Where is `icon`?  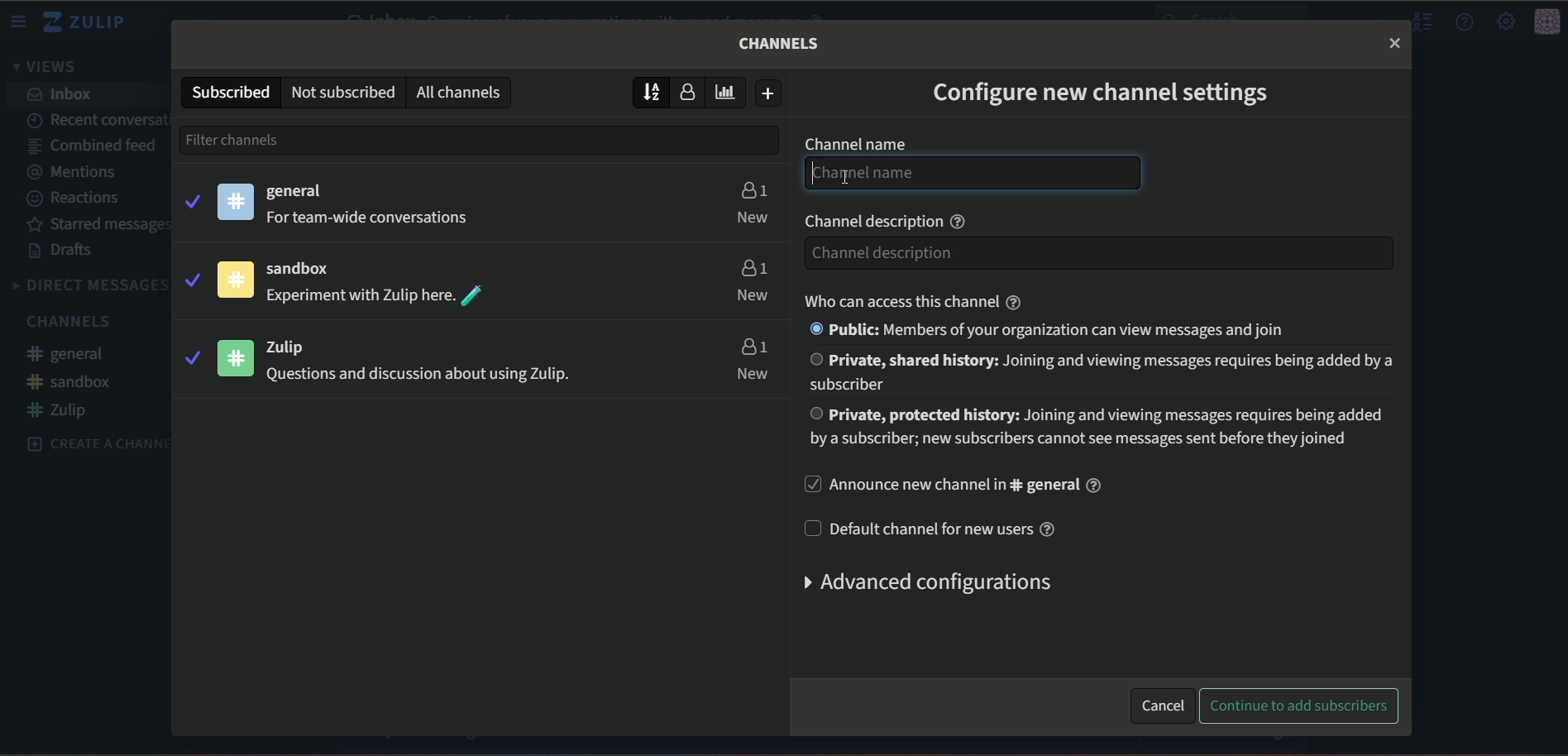
icon is located at coordinates (235, 280).